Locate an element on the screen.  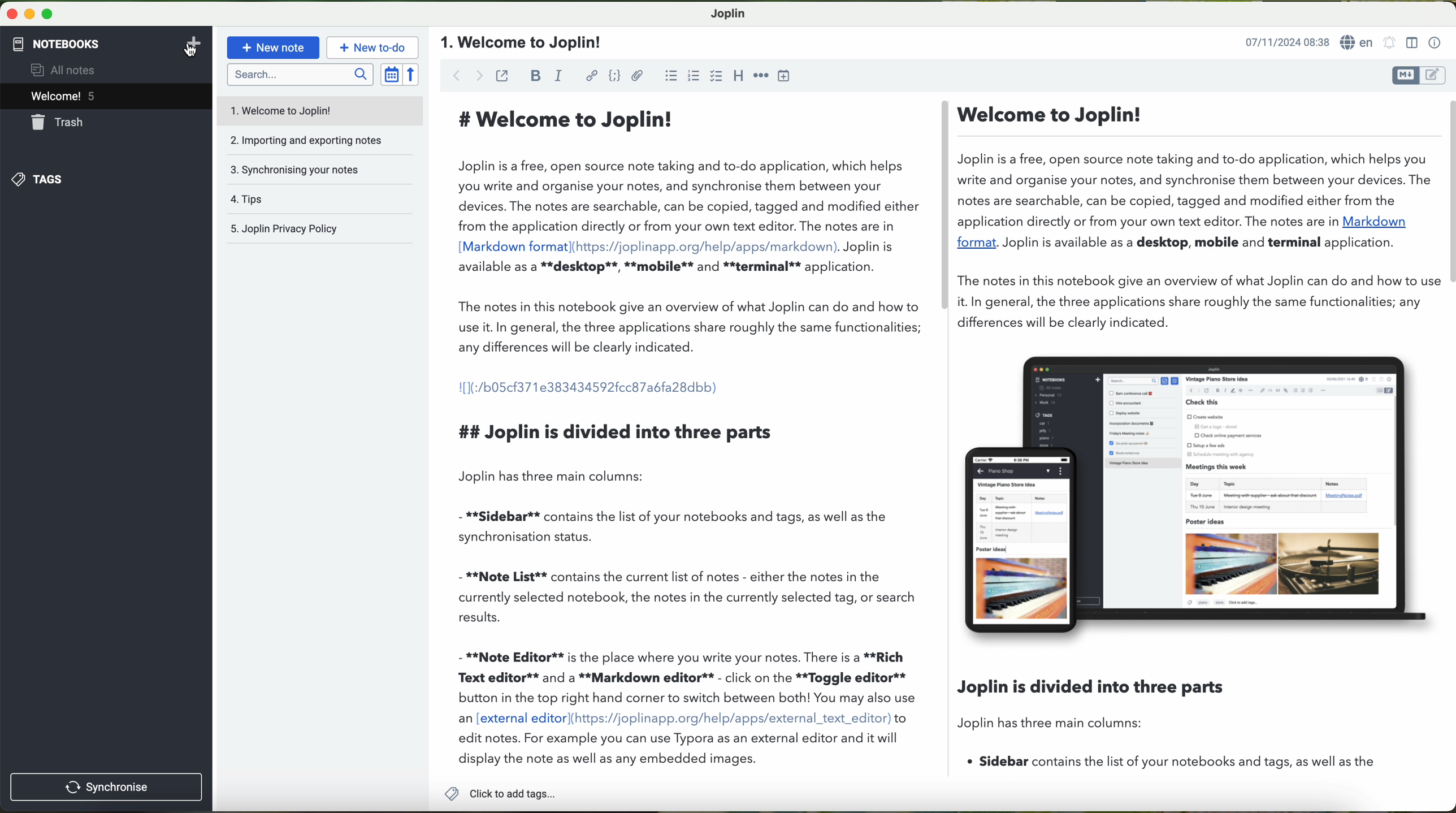
add tags is located at coordinates (500, 795).